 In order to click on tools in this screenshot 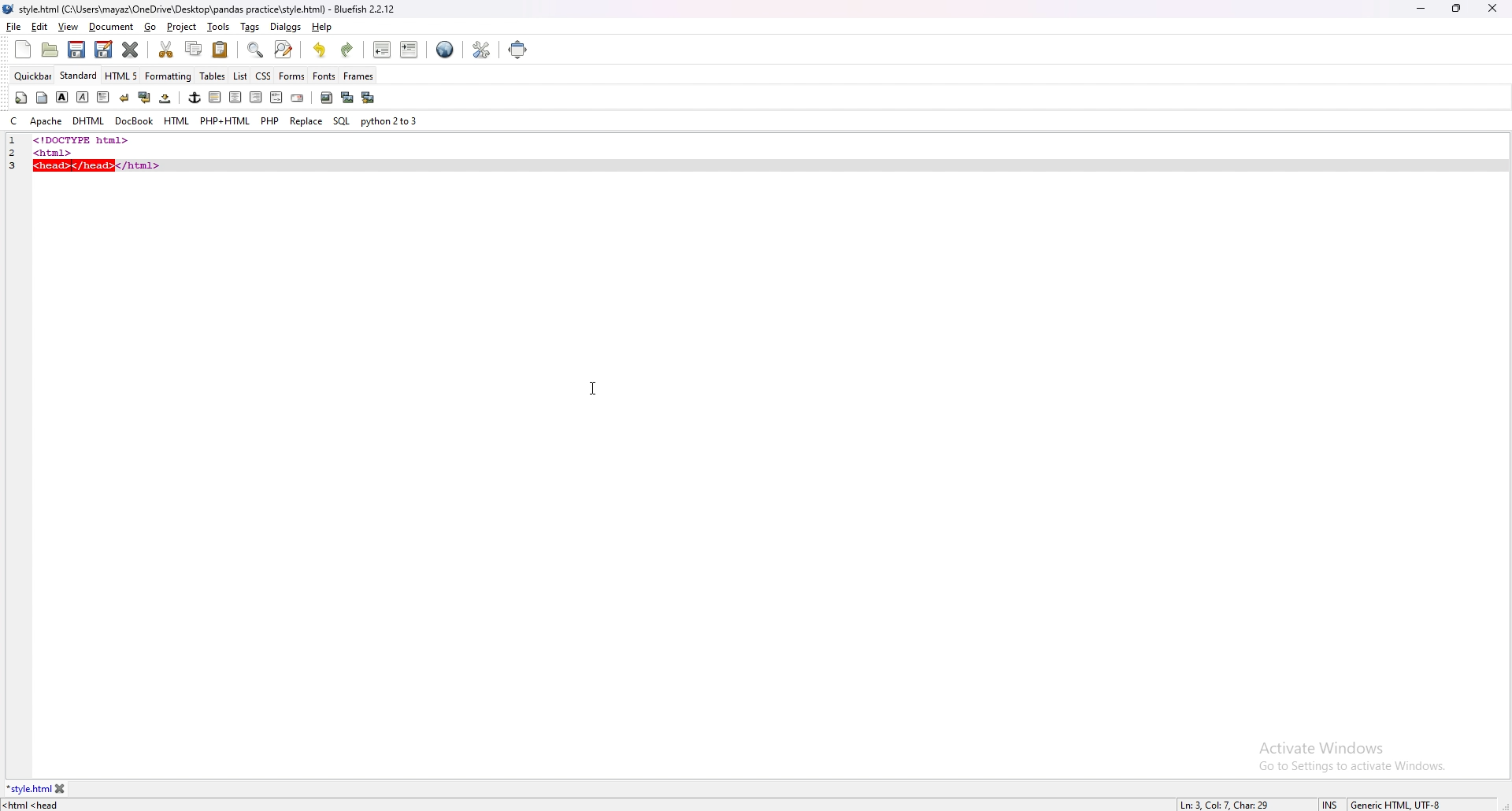, I will do `click(219, 27)`.